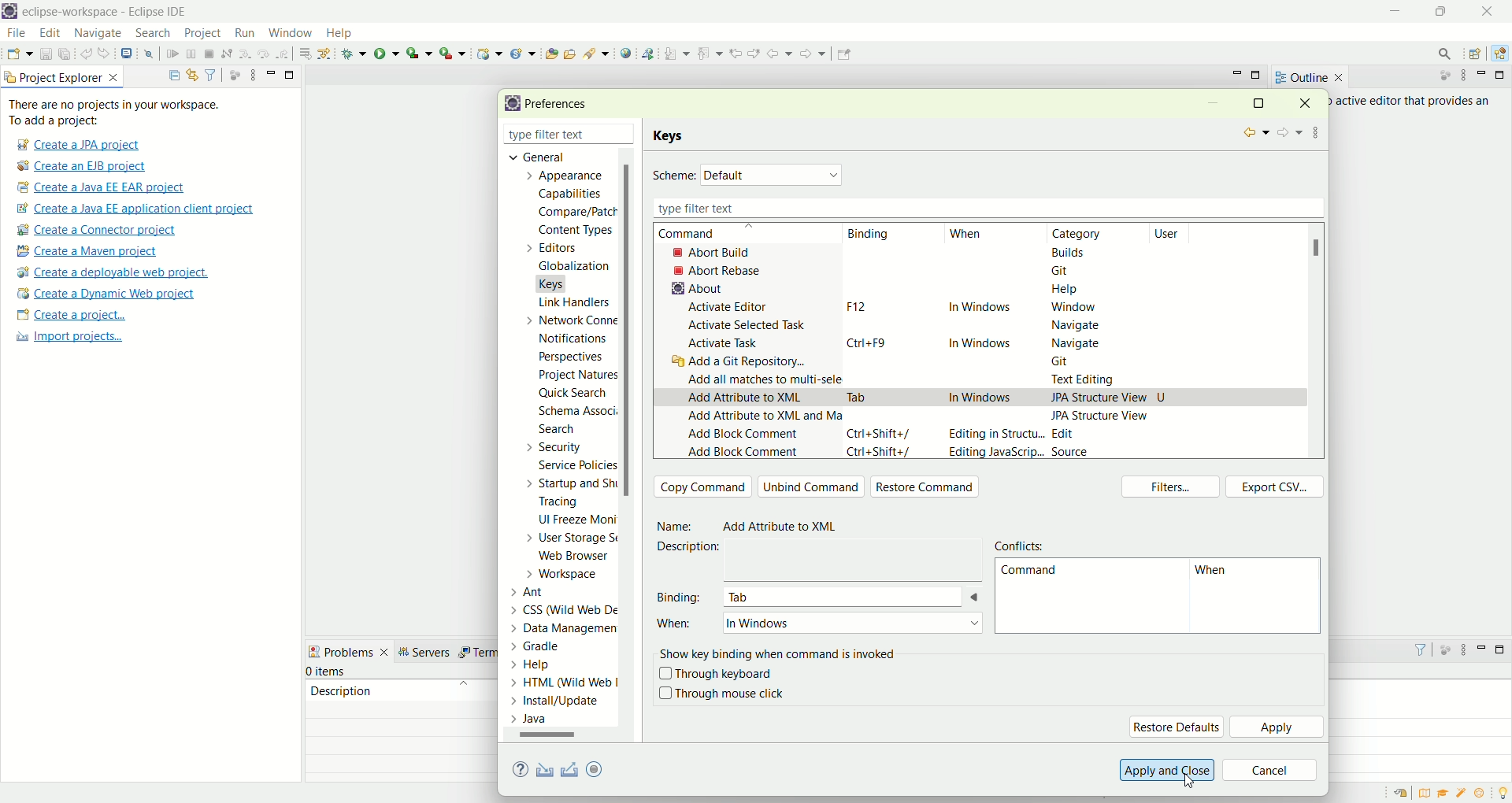 The height and width of the screenshot is (803, 1512). Describe the element at coordinates (210, 74) in the screenshot. I see `filter` at that location.